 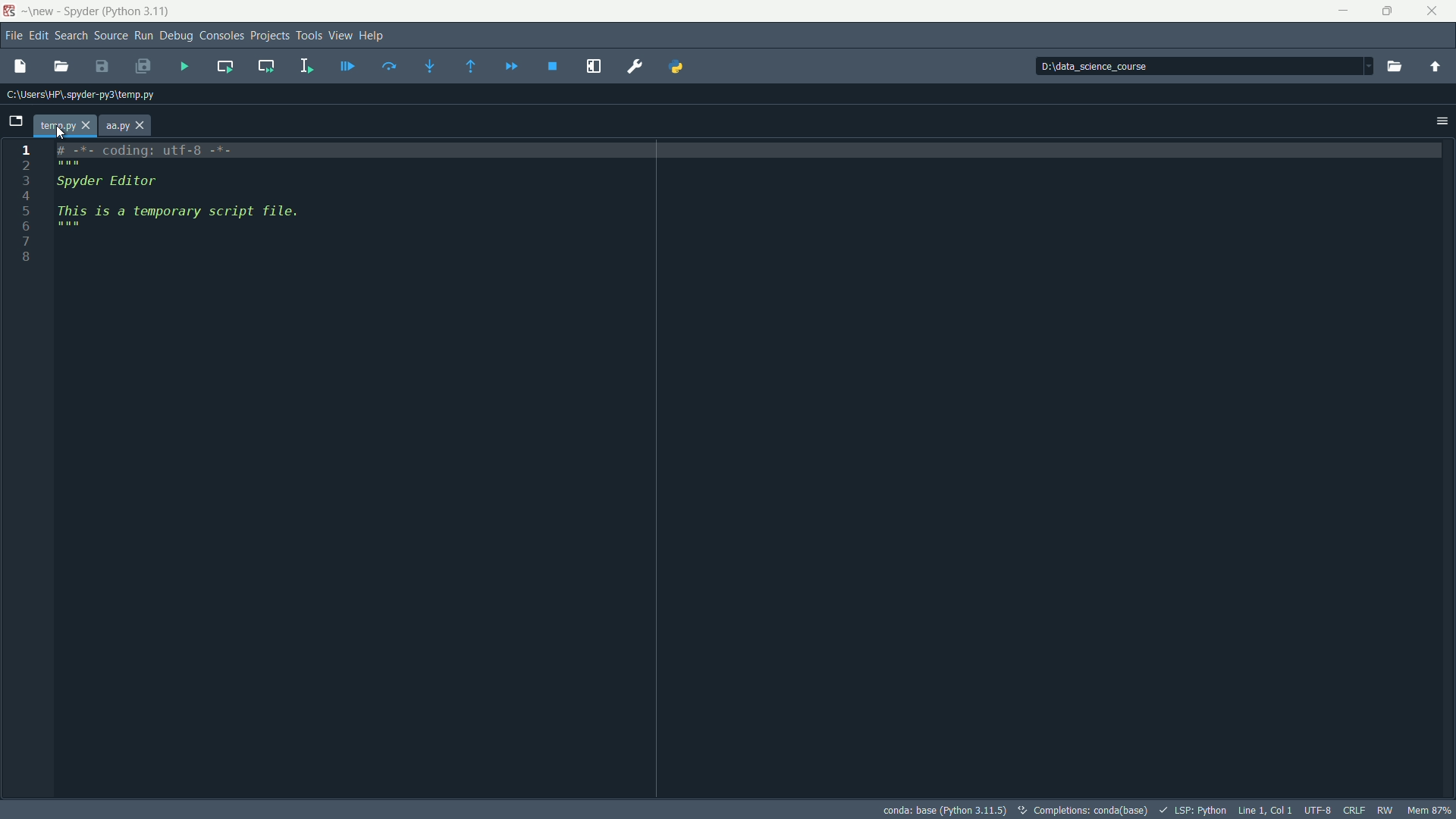 I want to click on cursor, so click(x=65, y=129).